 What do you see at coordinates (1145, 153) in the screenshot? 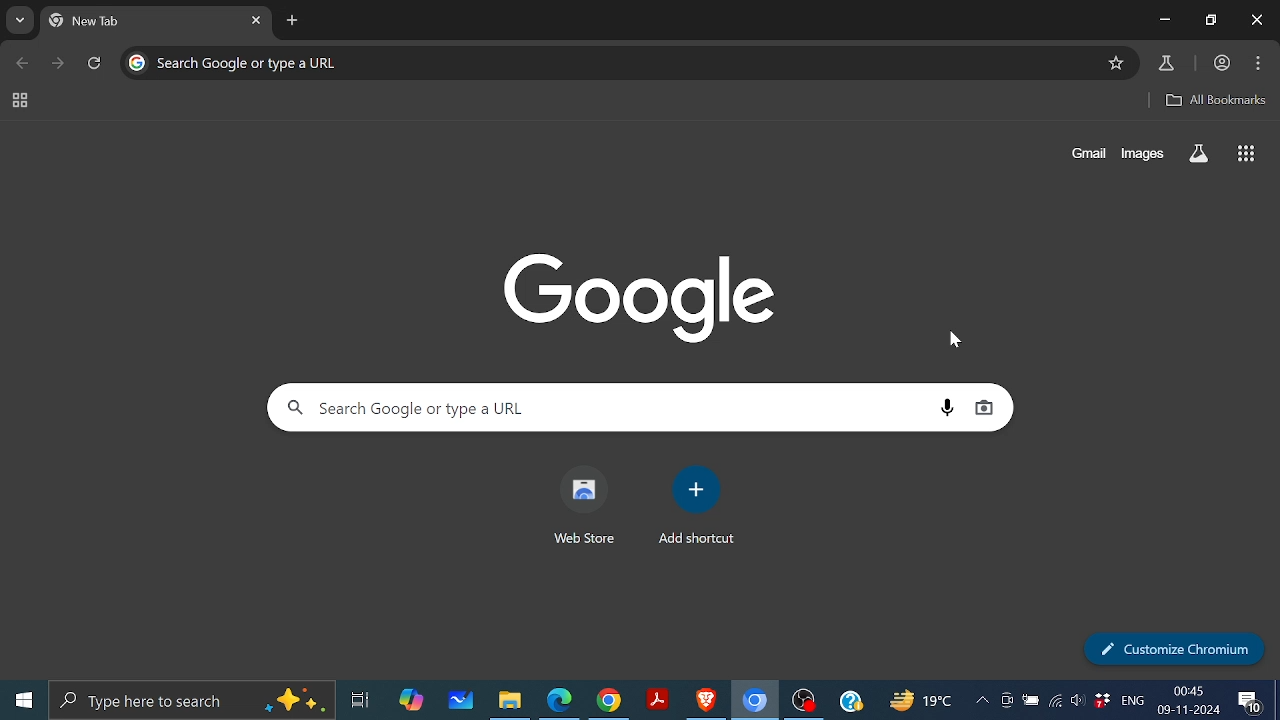
I see `Images` at bounding box center [1145, 153].